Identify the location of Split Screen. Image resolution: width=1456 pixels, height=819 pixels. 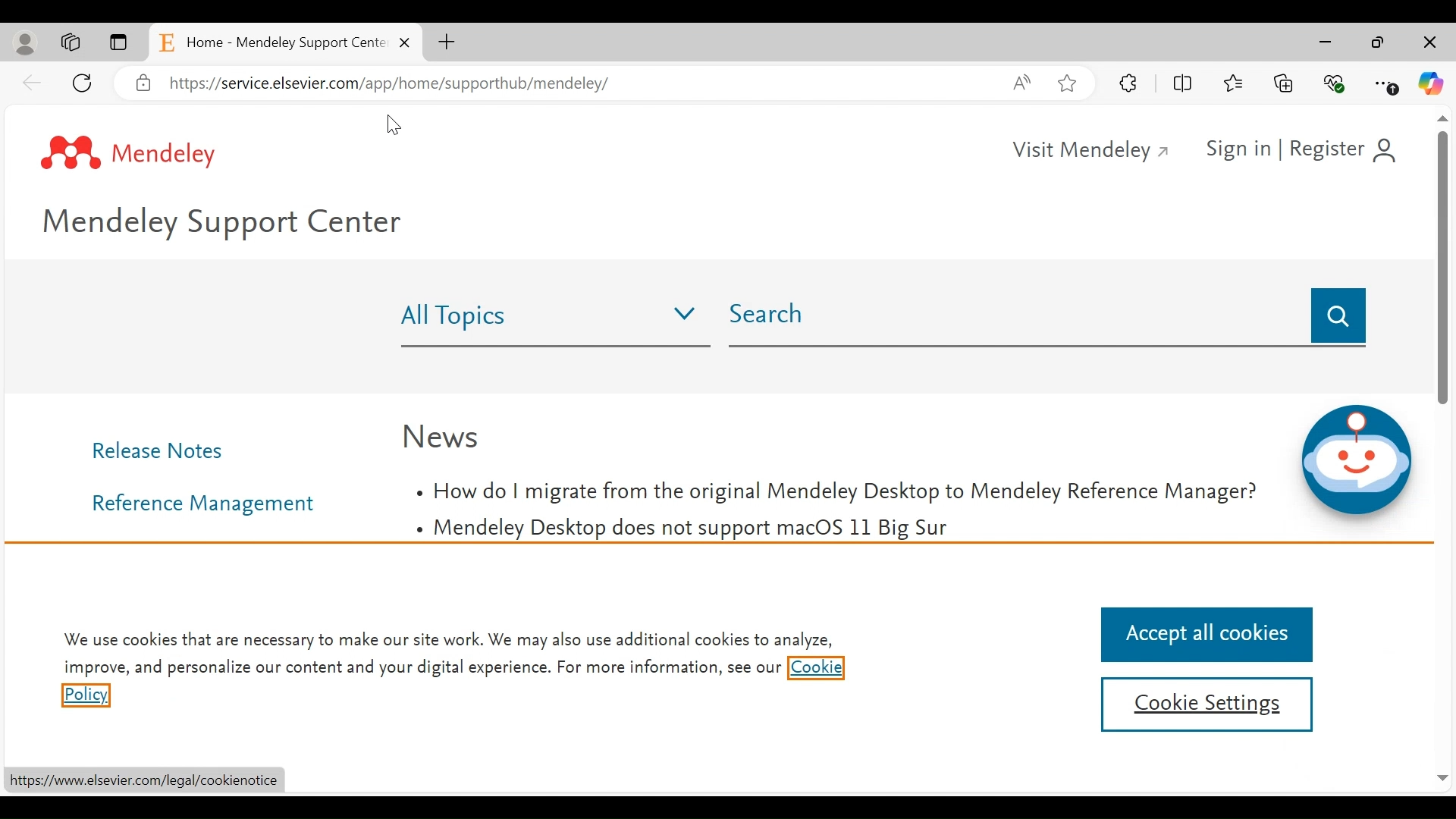
(1182, 83).